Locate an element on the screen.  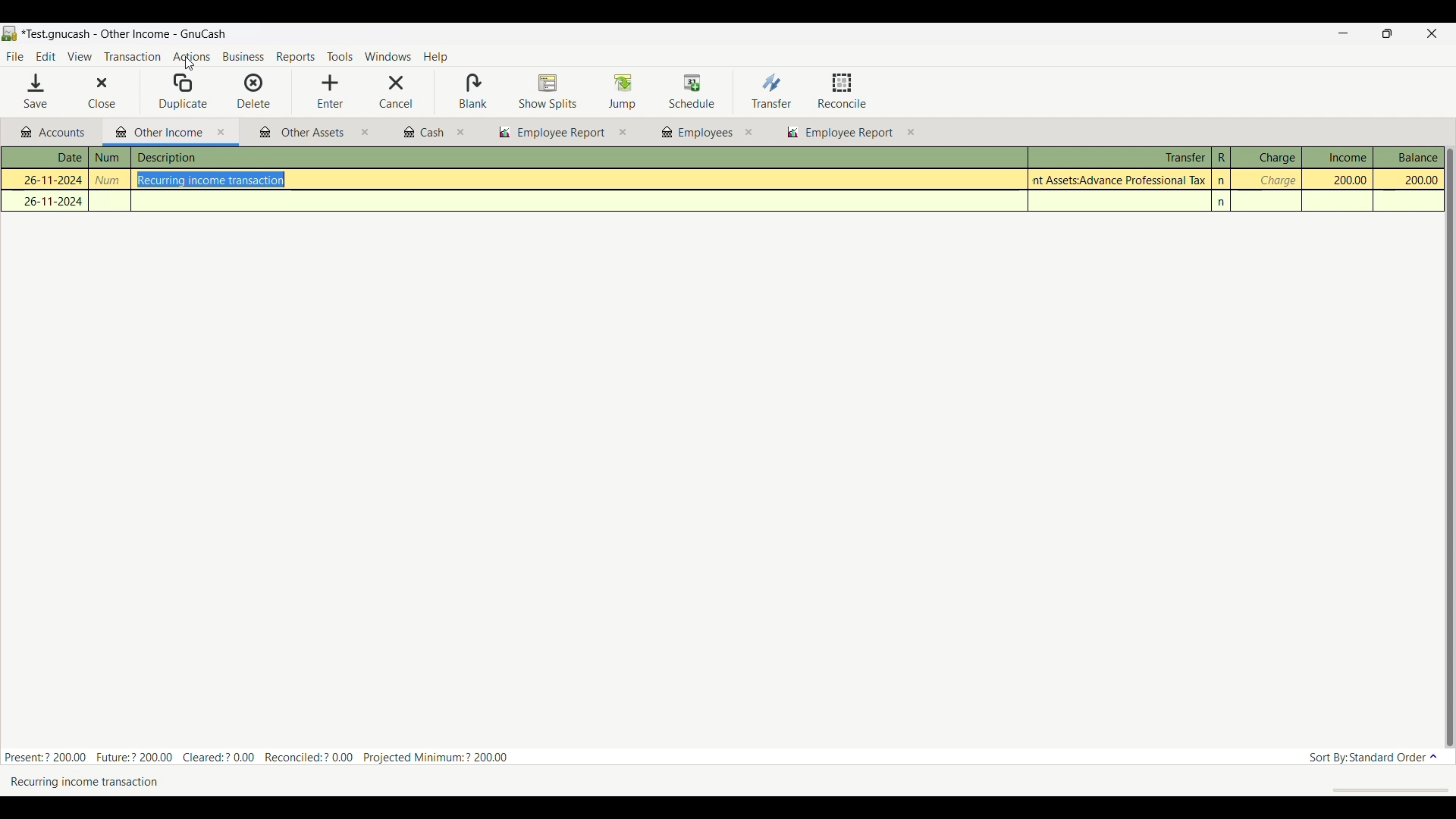
26-11-2024 is located at coordinates (46, 178).